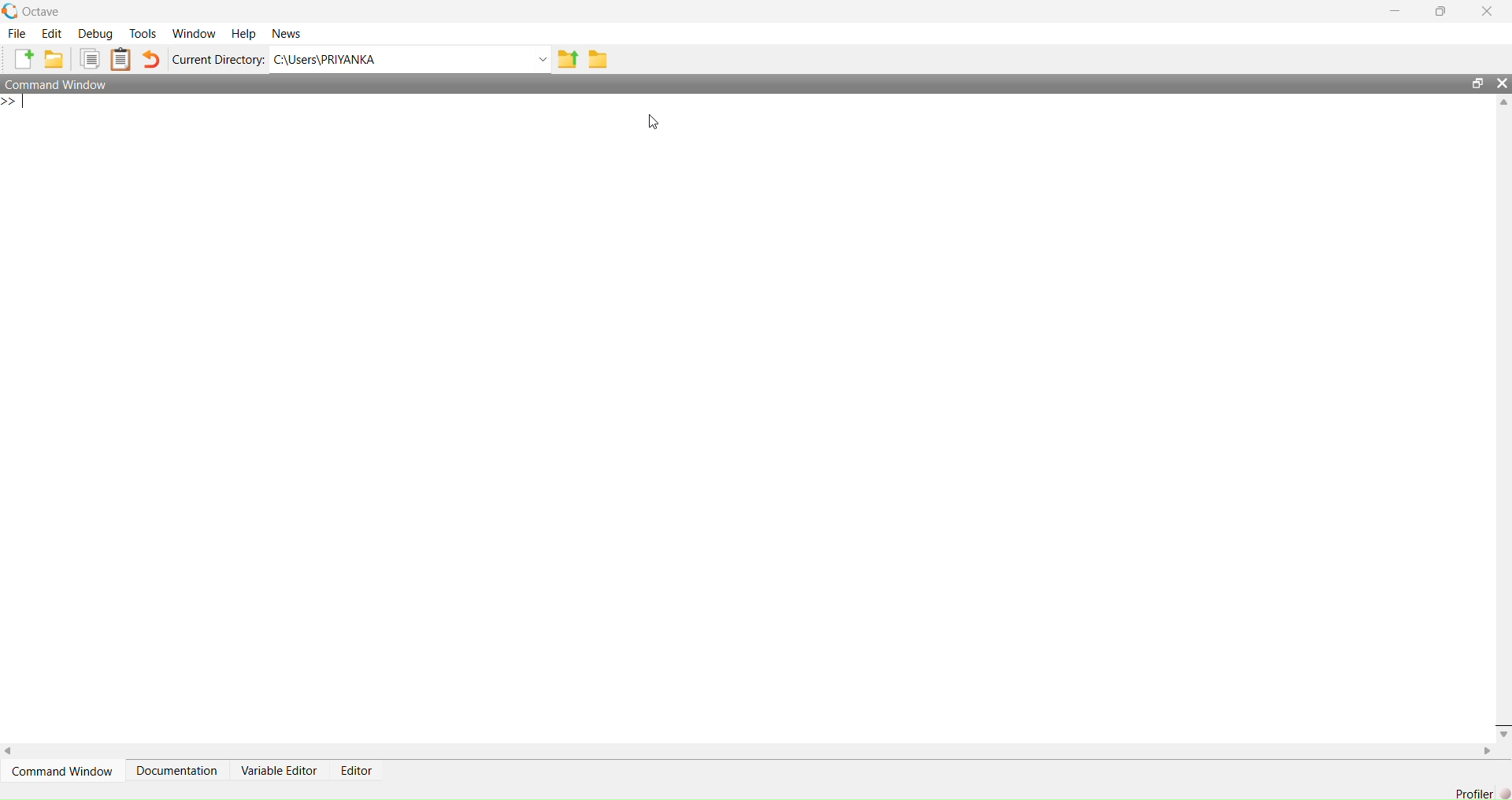 Image resolution: width=1512 pixels, height=800 pixels. What do you see at coordinates (9, 752) in the screenshot?
I see `Scroll right` at bounding box center [9, 752].